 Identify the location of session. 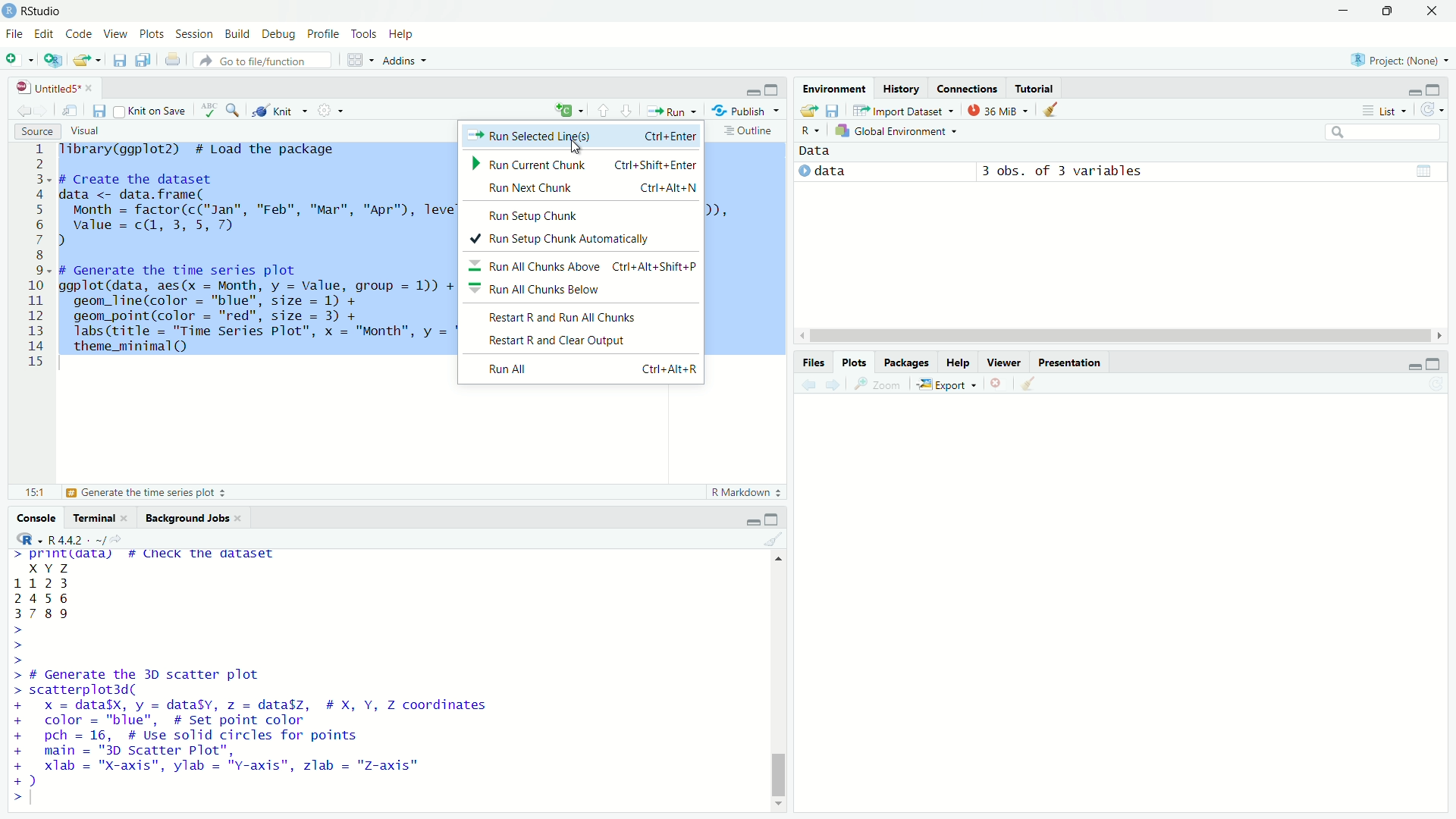
(196, 35).